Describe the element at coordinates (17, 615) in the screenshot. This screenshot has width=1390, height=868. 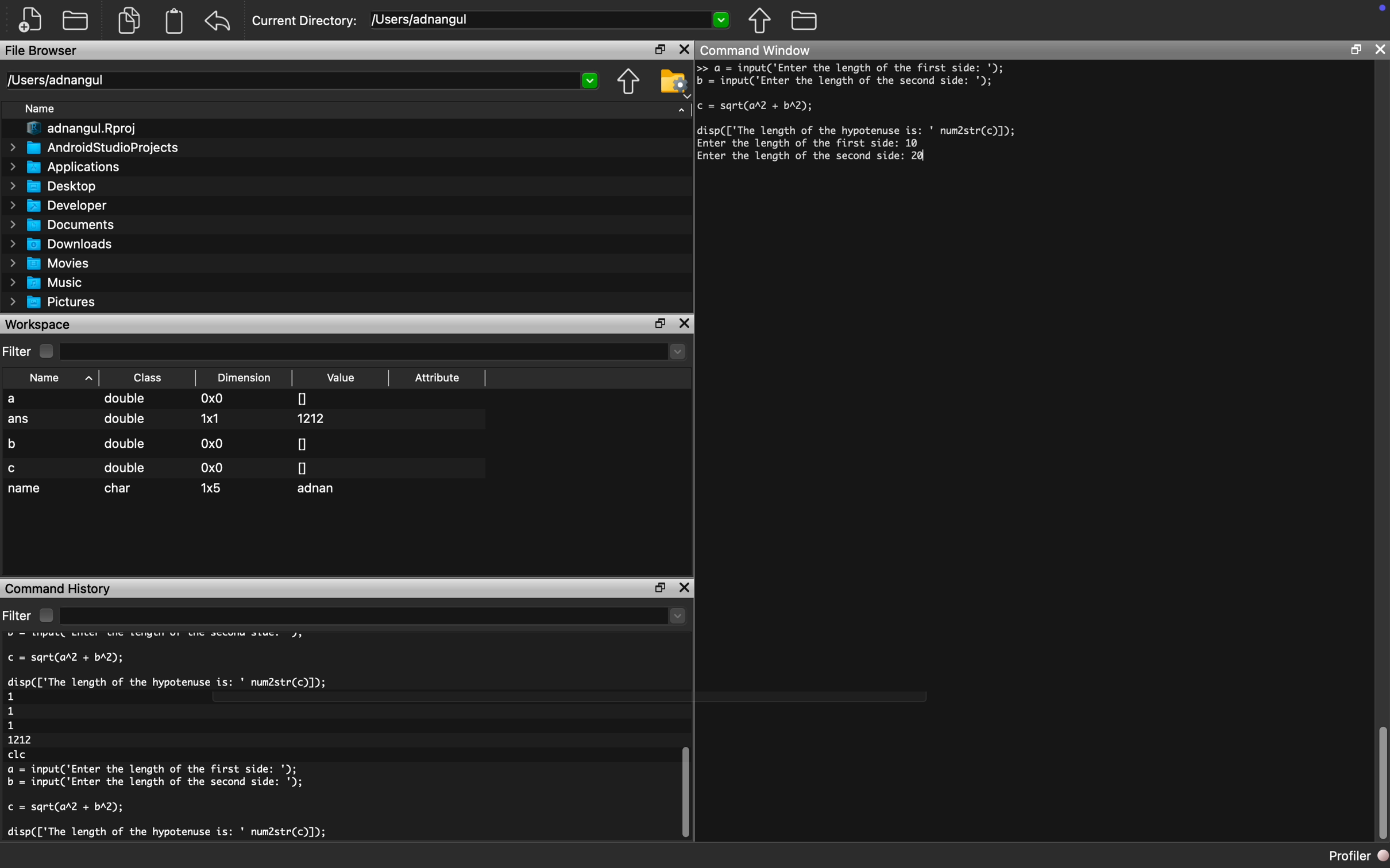
I see `filter` at that location.